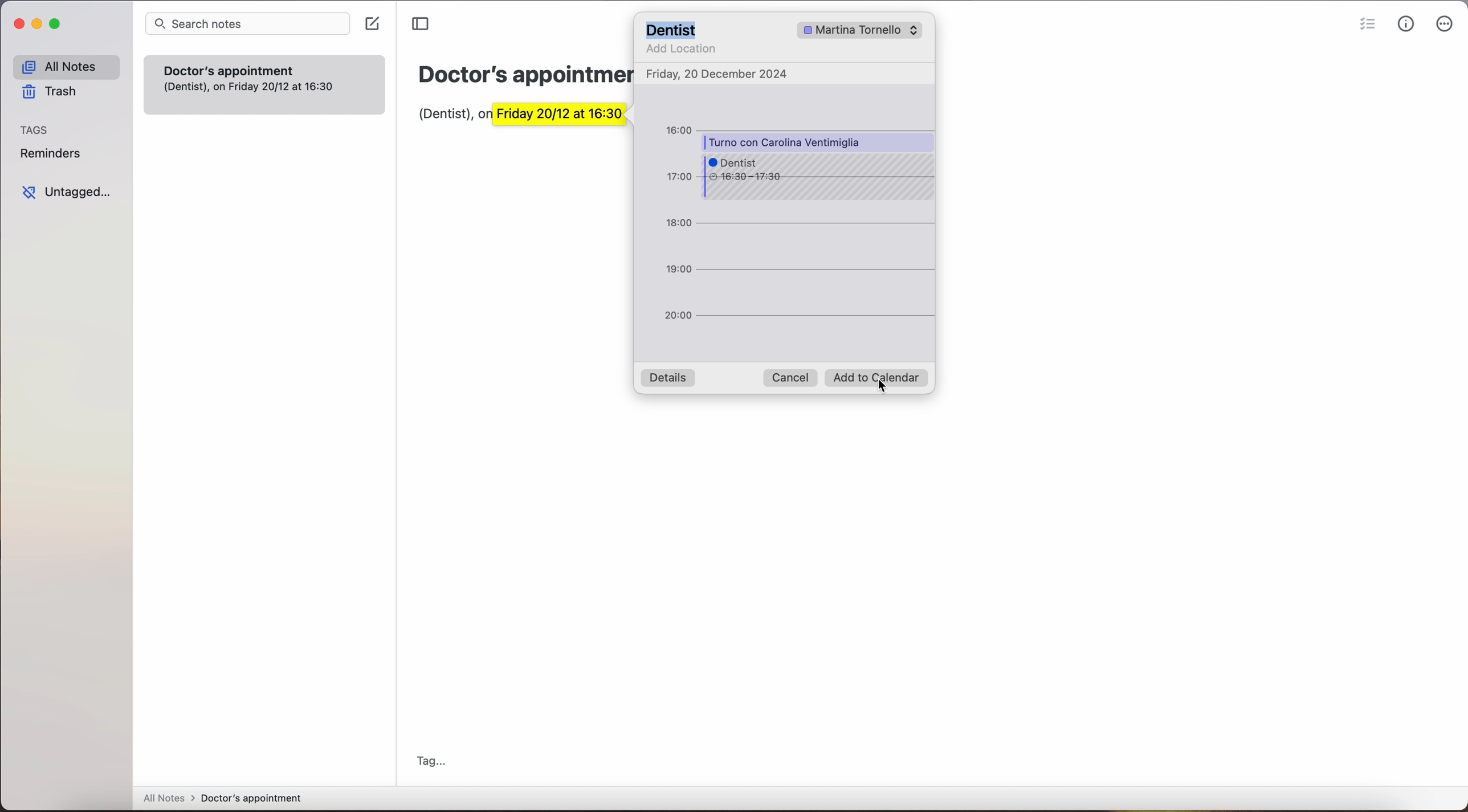 Image resolution: width=1468 pixels, height=812 pixels. Describe the element at coordinates (256, 93) in the screenshot. I see `(Dentist), on Friday 20/12 at 16:30` at that location.